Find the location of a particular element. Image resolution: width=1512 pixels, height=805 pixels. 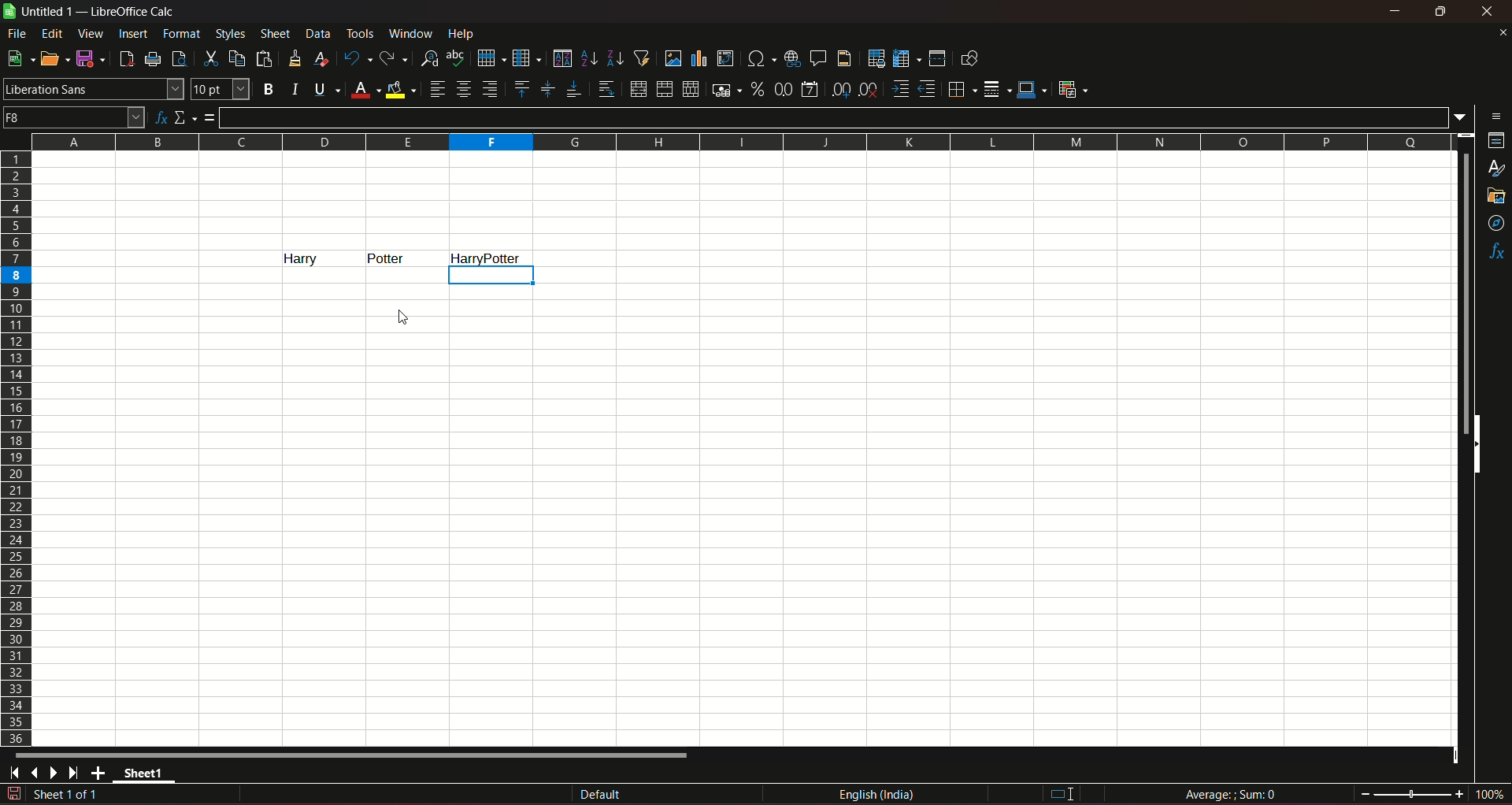

merge is located at coordinates (664, 90).